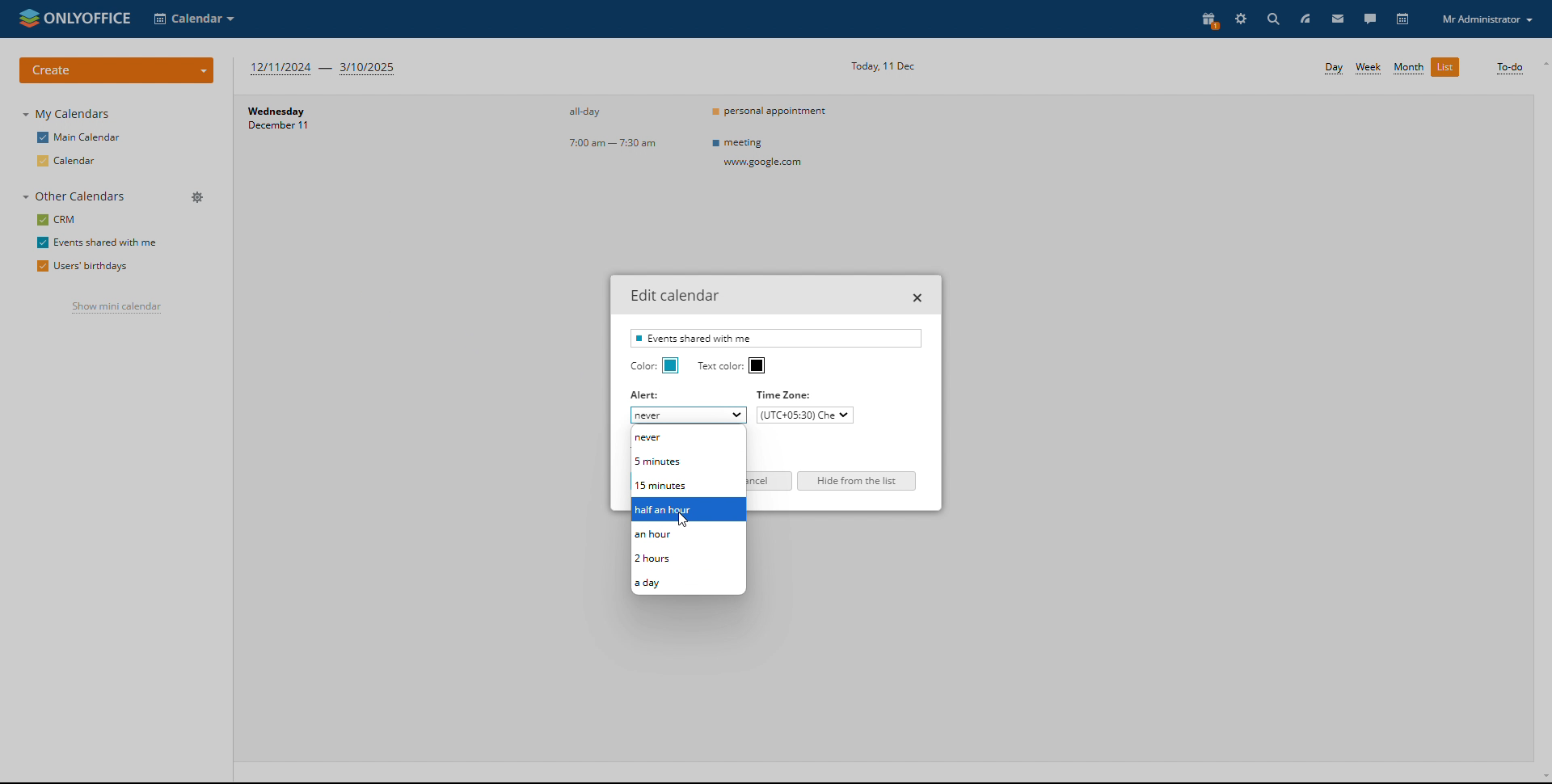  Describe the element at coordinates (757, 365) in the screenshot. I see `text color` at that location.